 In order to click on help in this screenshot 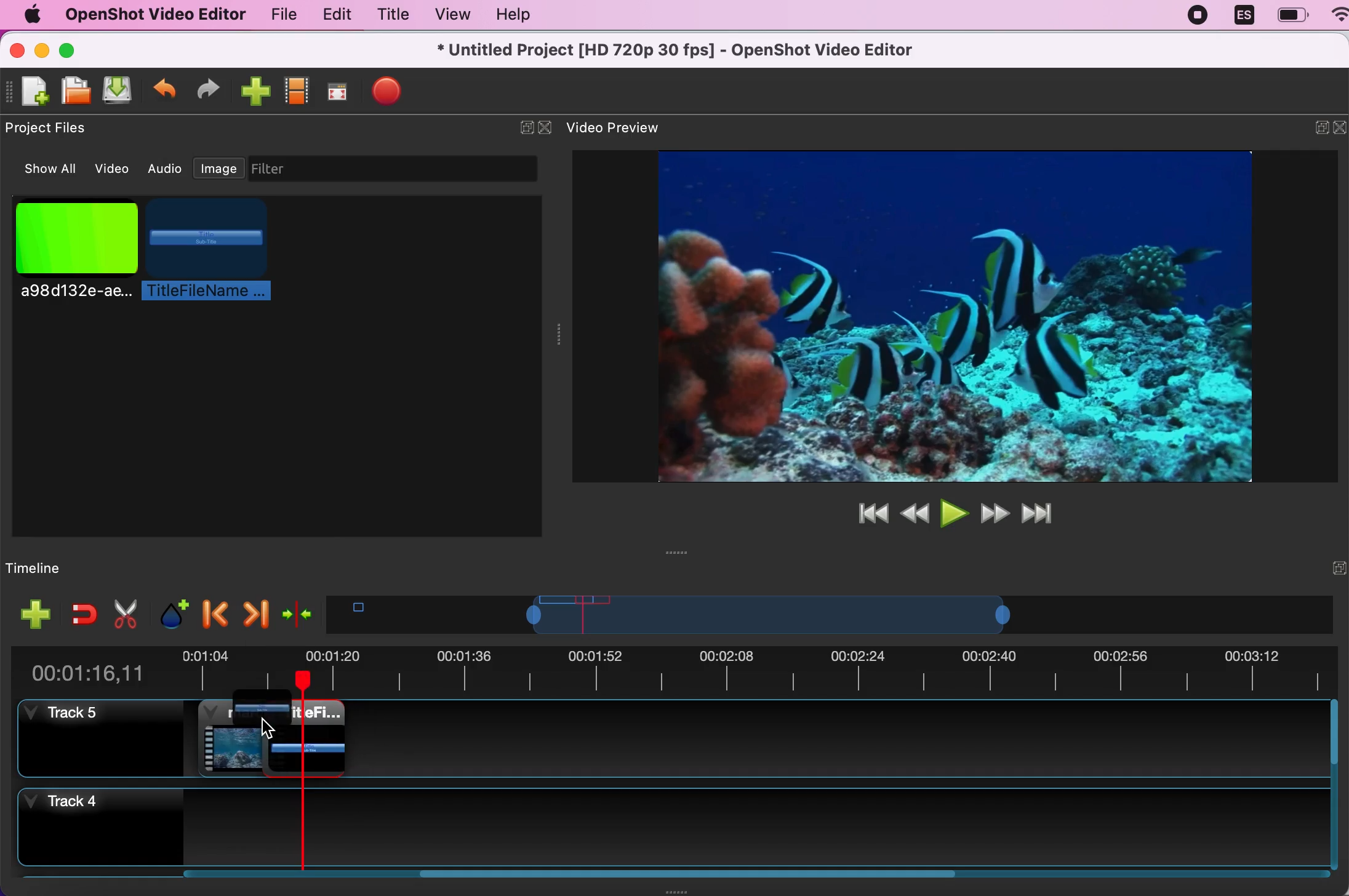, I will do `click(524, 15)`.